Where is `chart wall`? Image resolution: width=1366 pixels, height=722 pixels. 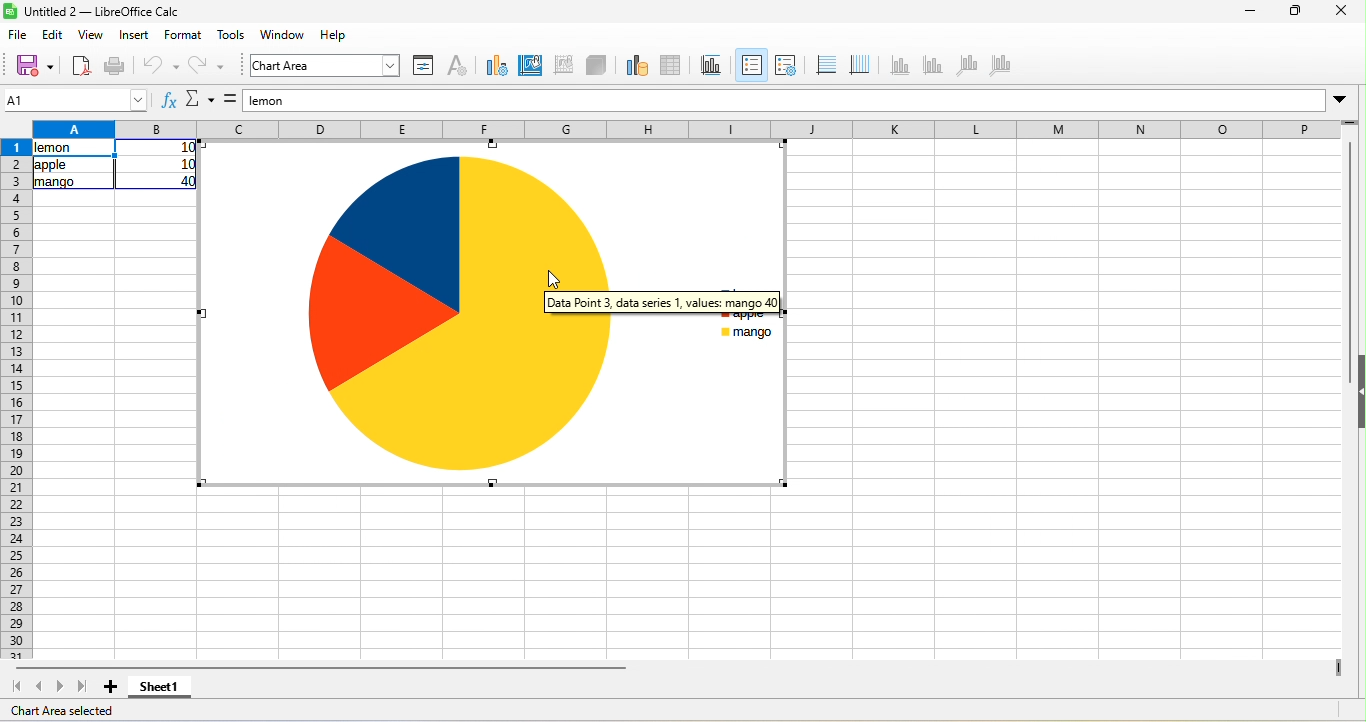
chart wall is located at coordinates (562, 65).